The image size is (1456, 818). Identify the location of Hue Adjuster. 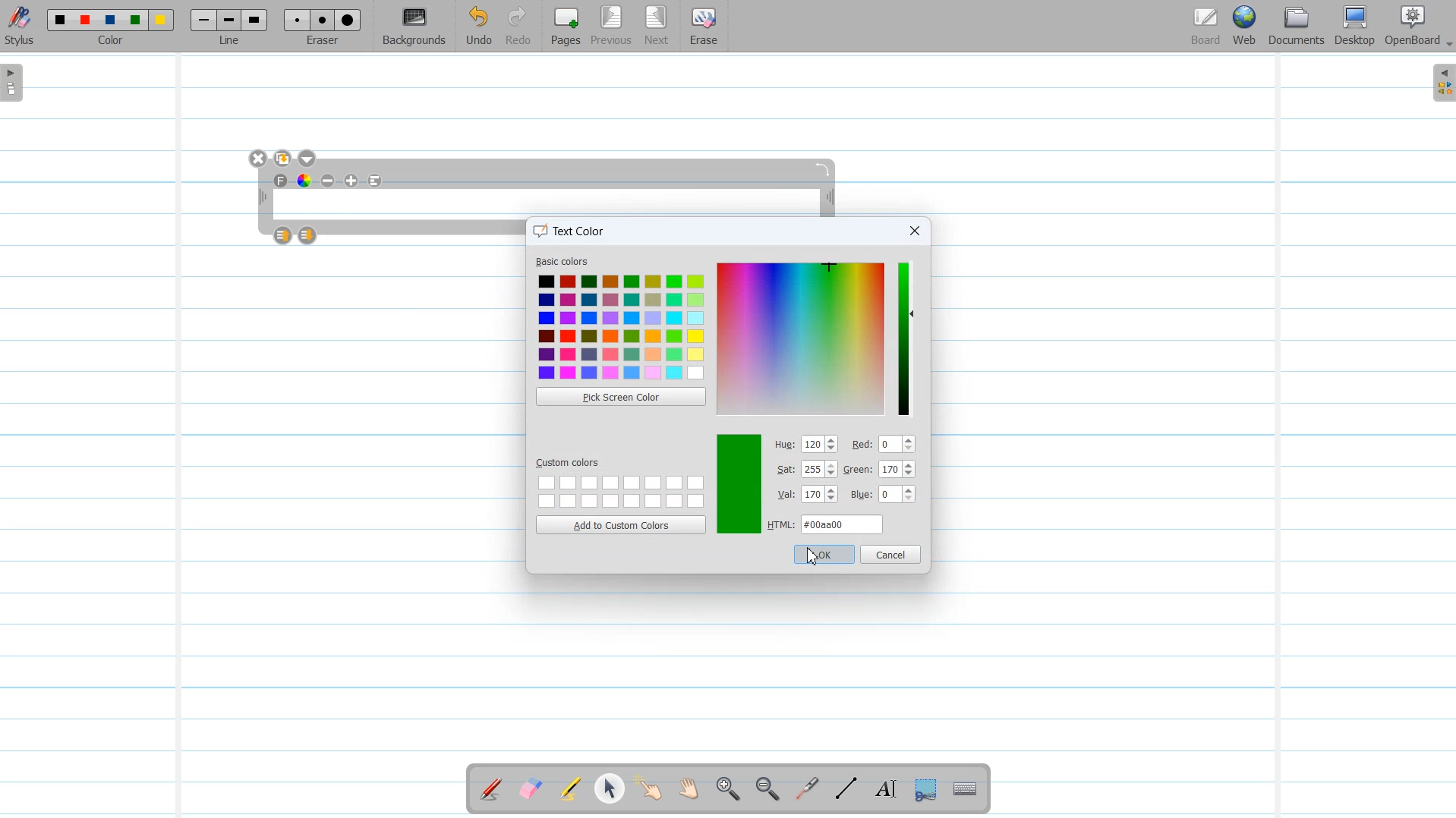
(807, 445).